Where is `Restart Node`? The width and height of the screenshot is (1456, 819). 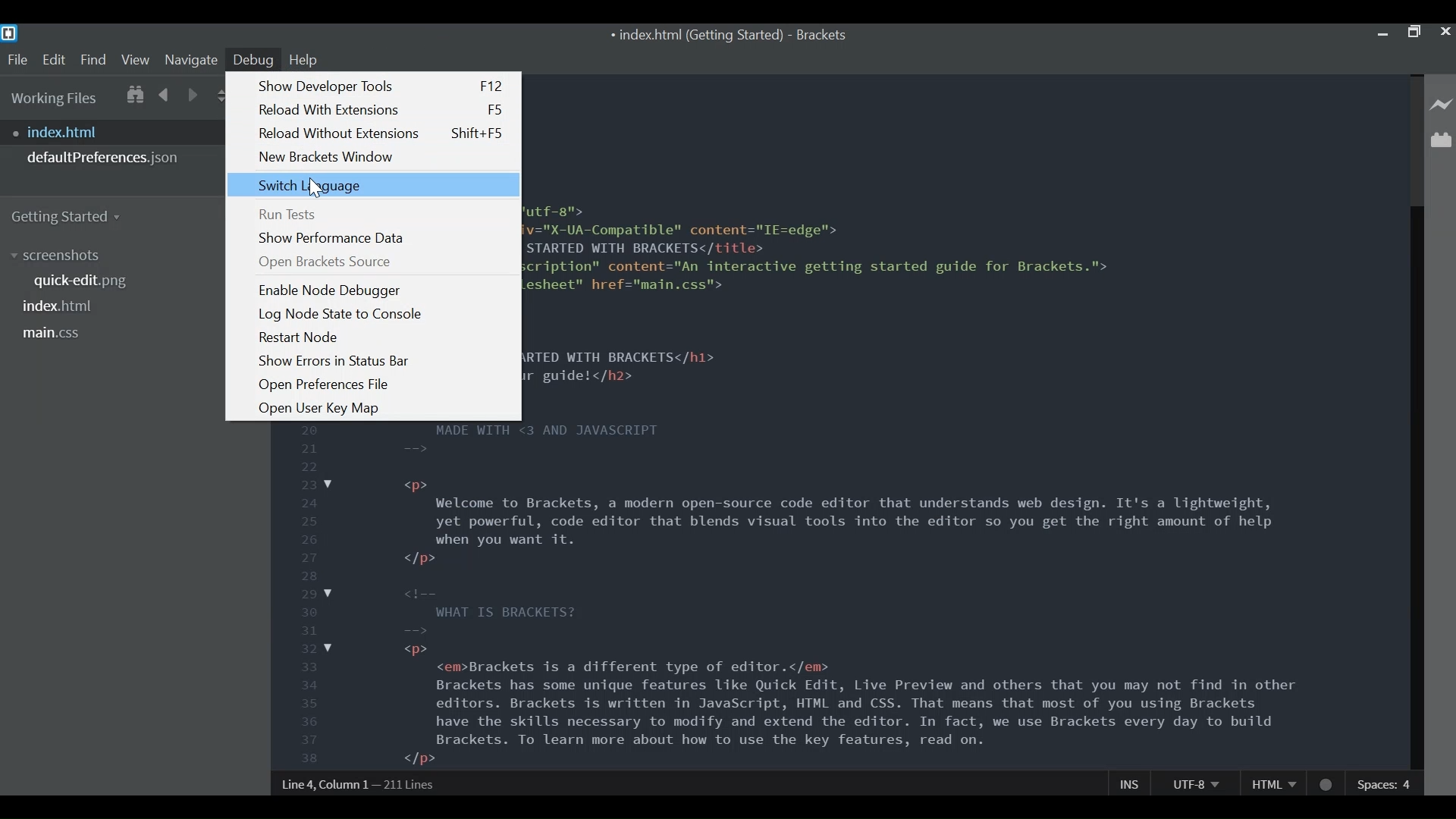
Restart Node is located at coordinates (301, 337).